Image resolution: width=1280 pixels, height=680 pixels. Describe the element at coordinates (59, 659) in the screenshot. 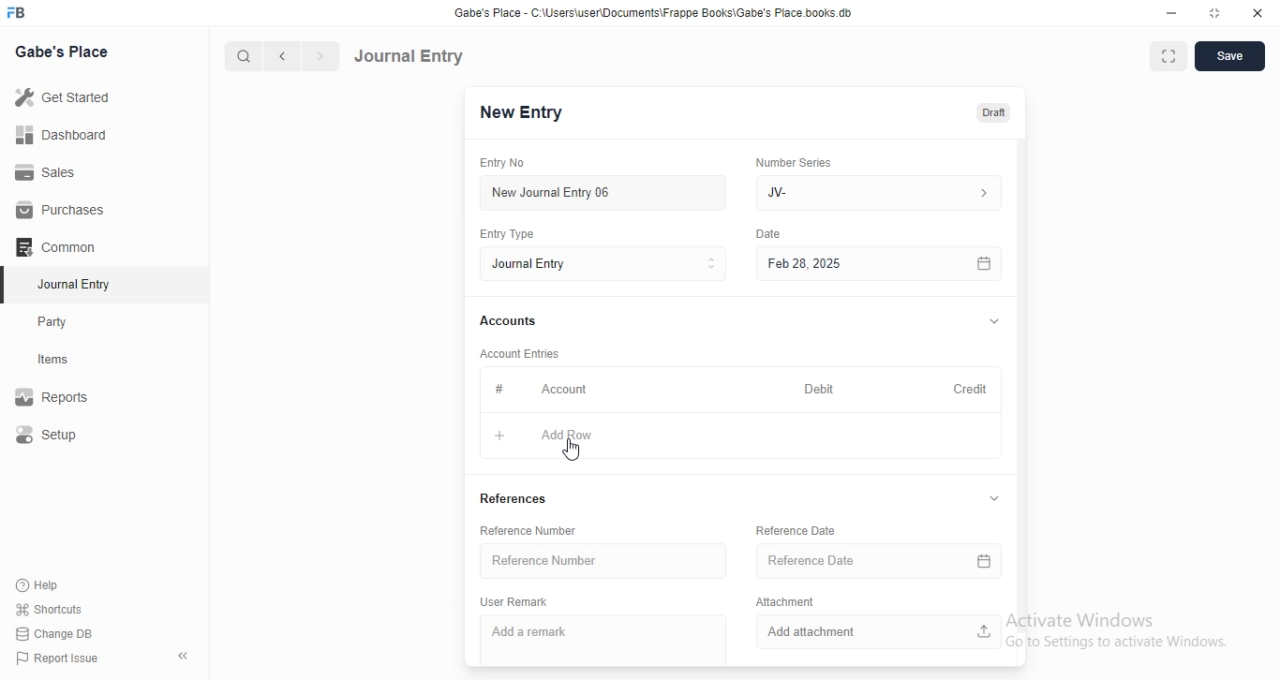

I see `) Report Issue` at that location.